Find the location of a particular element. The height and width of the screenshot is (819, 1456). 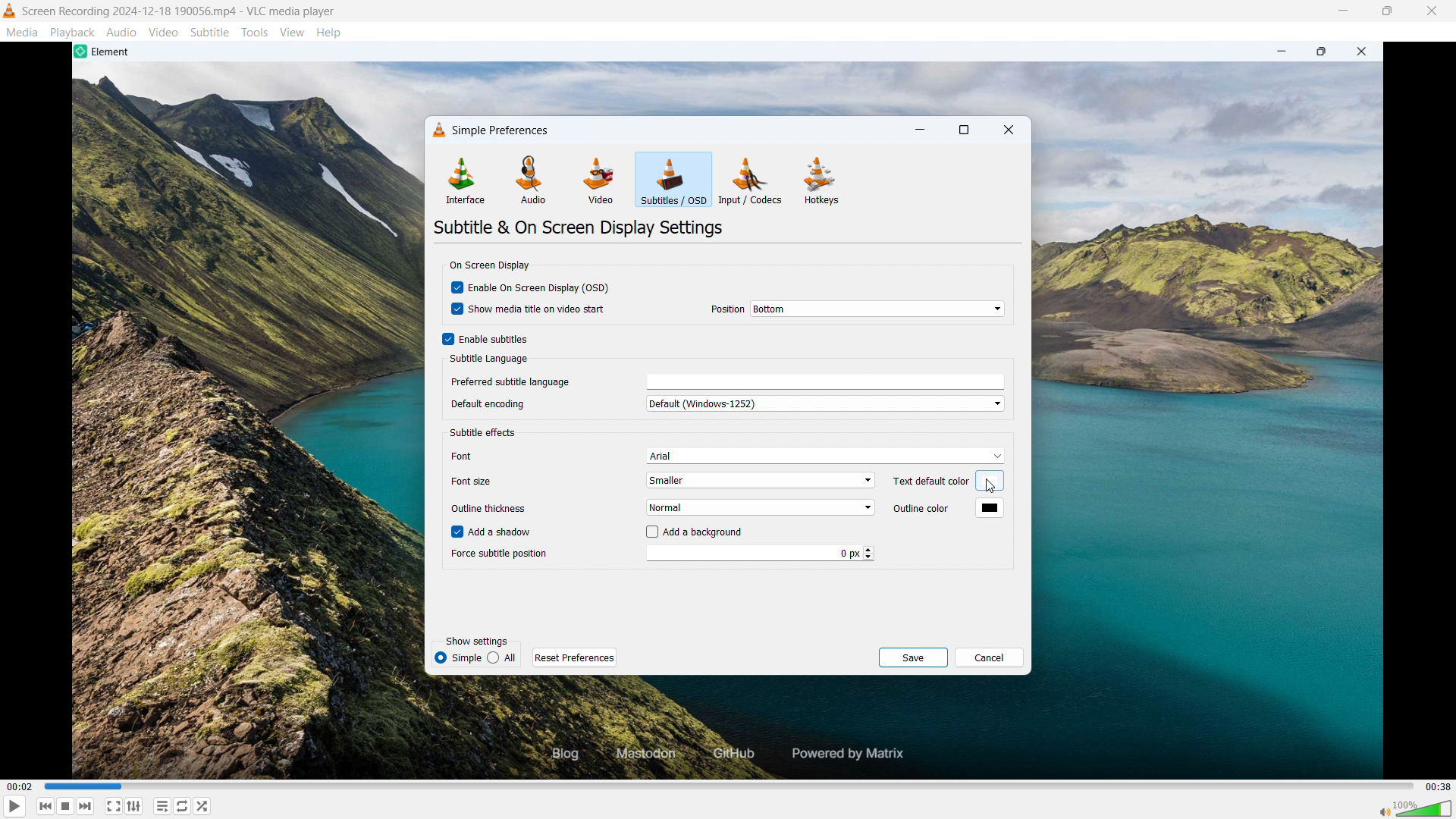

Playback  is located at coordinates (73, 32).